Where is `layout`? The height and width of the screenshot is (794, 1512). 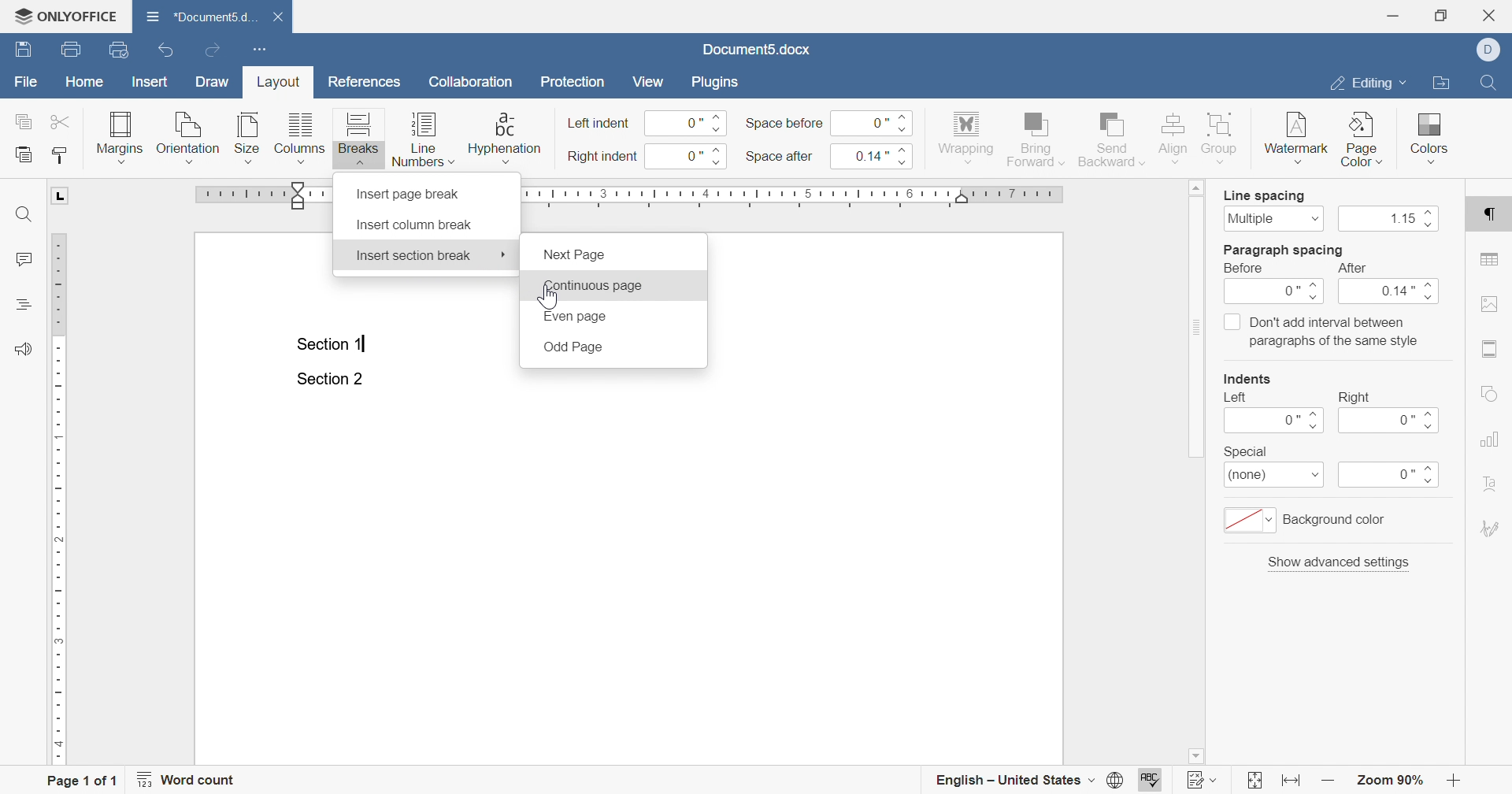 layout is located at coordinates (281, 84).